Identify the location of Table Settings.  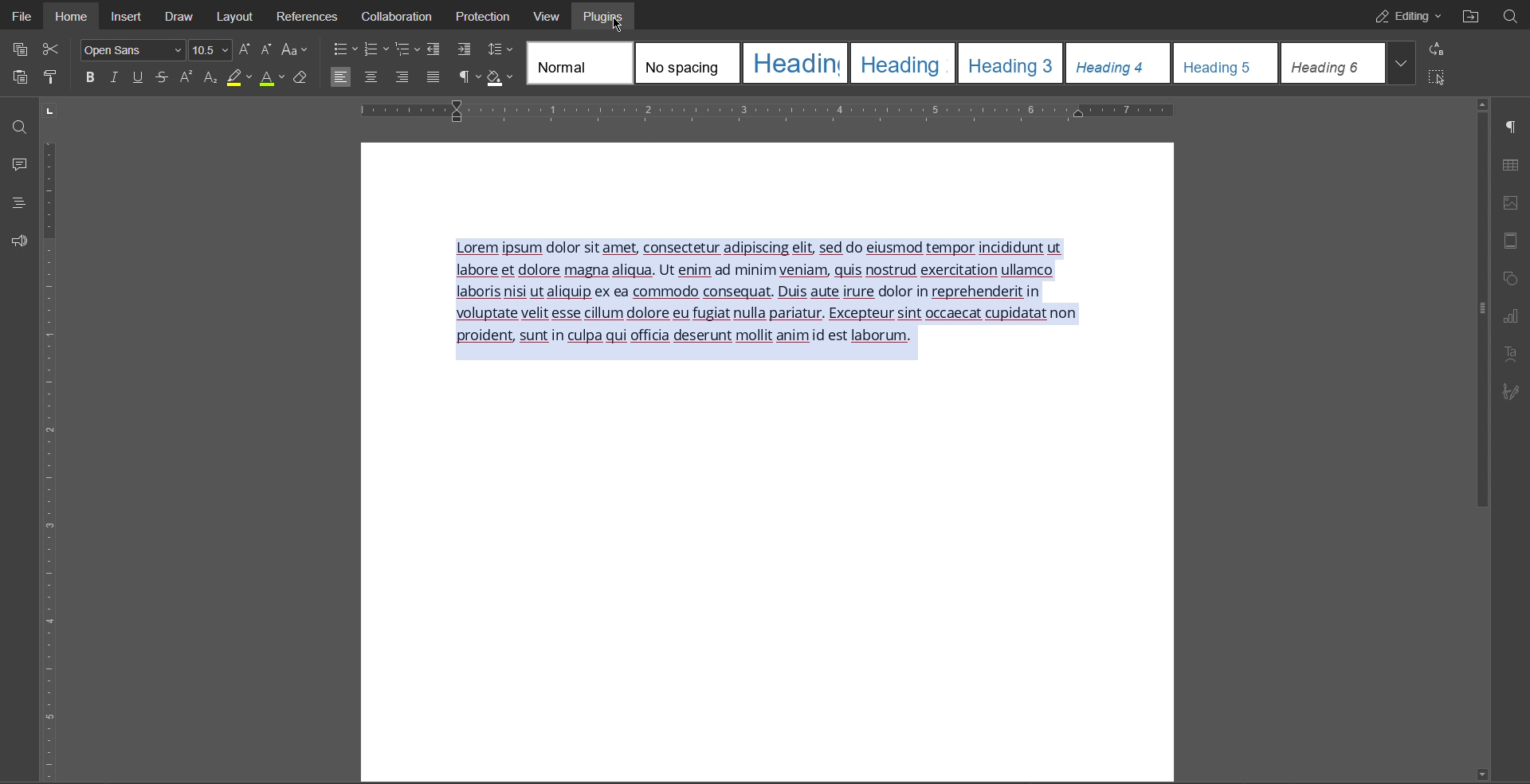
(1510, 163).